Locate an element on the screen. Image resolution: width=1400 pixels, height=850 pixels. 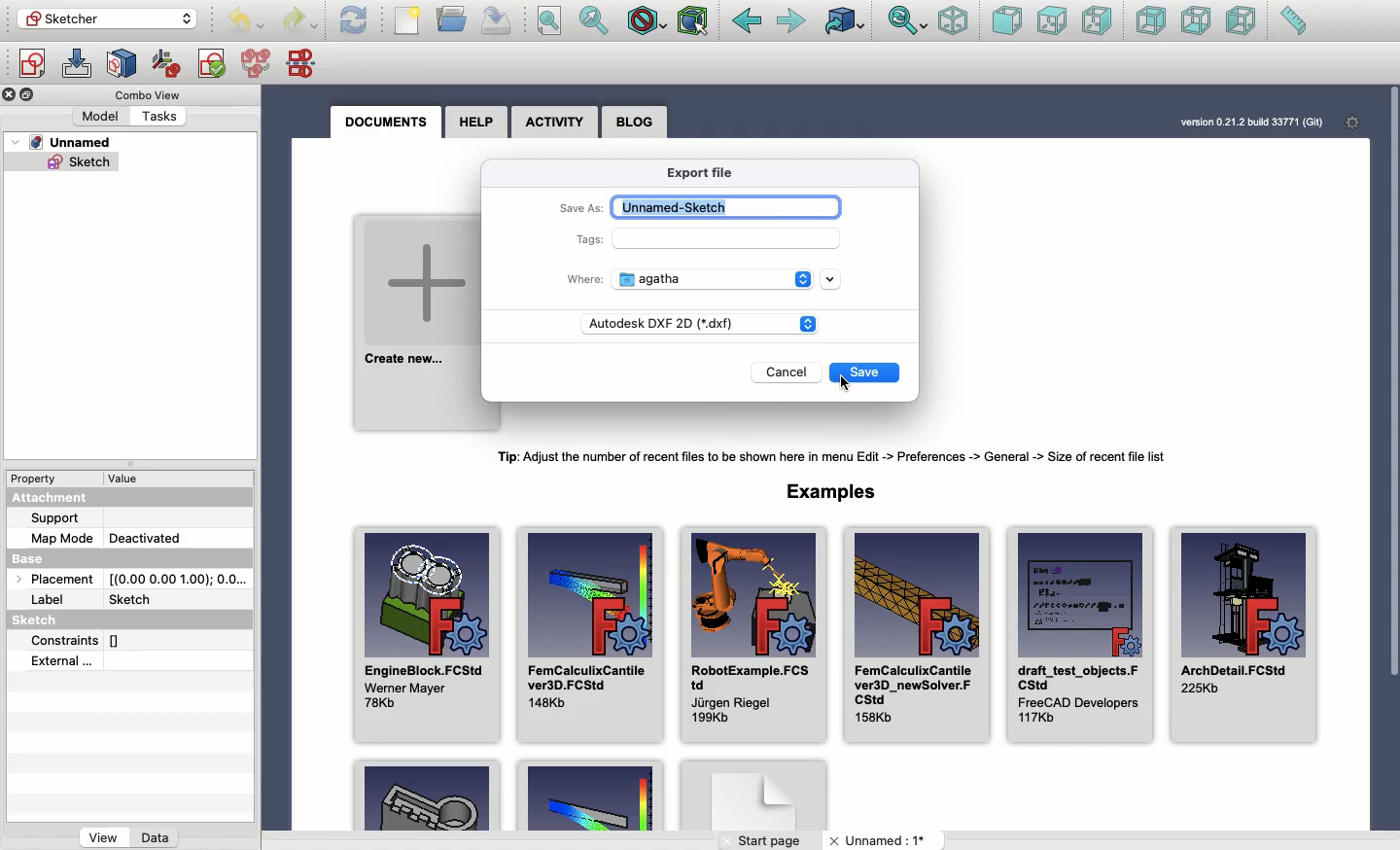
Agatha - location is located at coordinates (730, 279).